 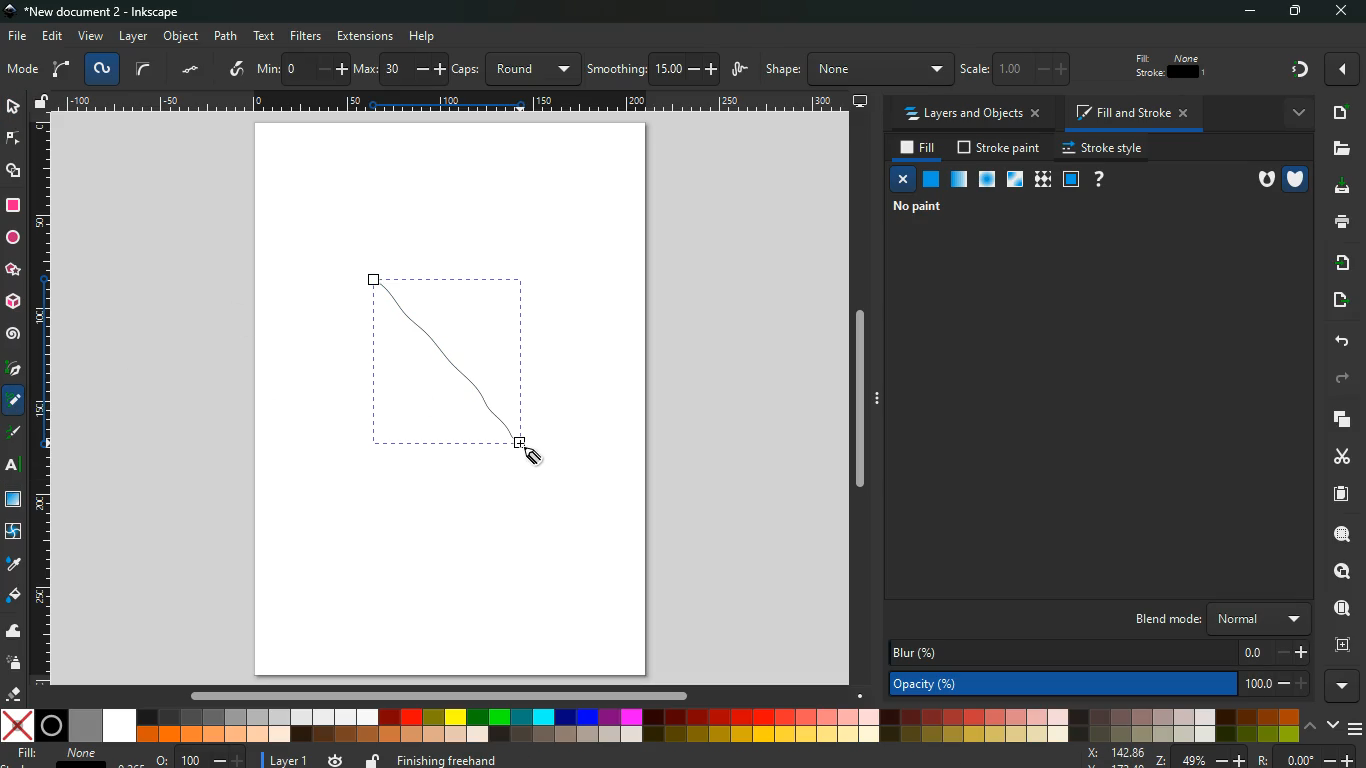 I want to click on drop, so click(x=15, y=567).